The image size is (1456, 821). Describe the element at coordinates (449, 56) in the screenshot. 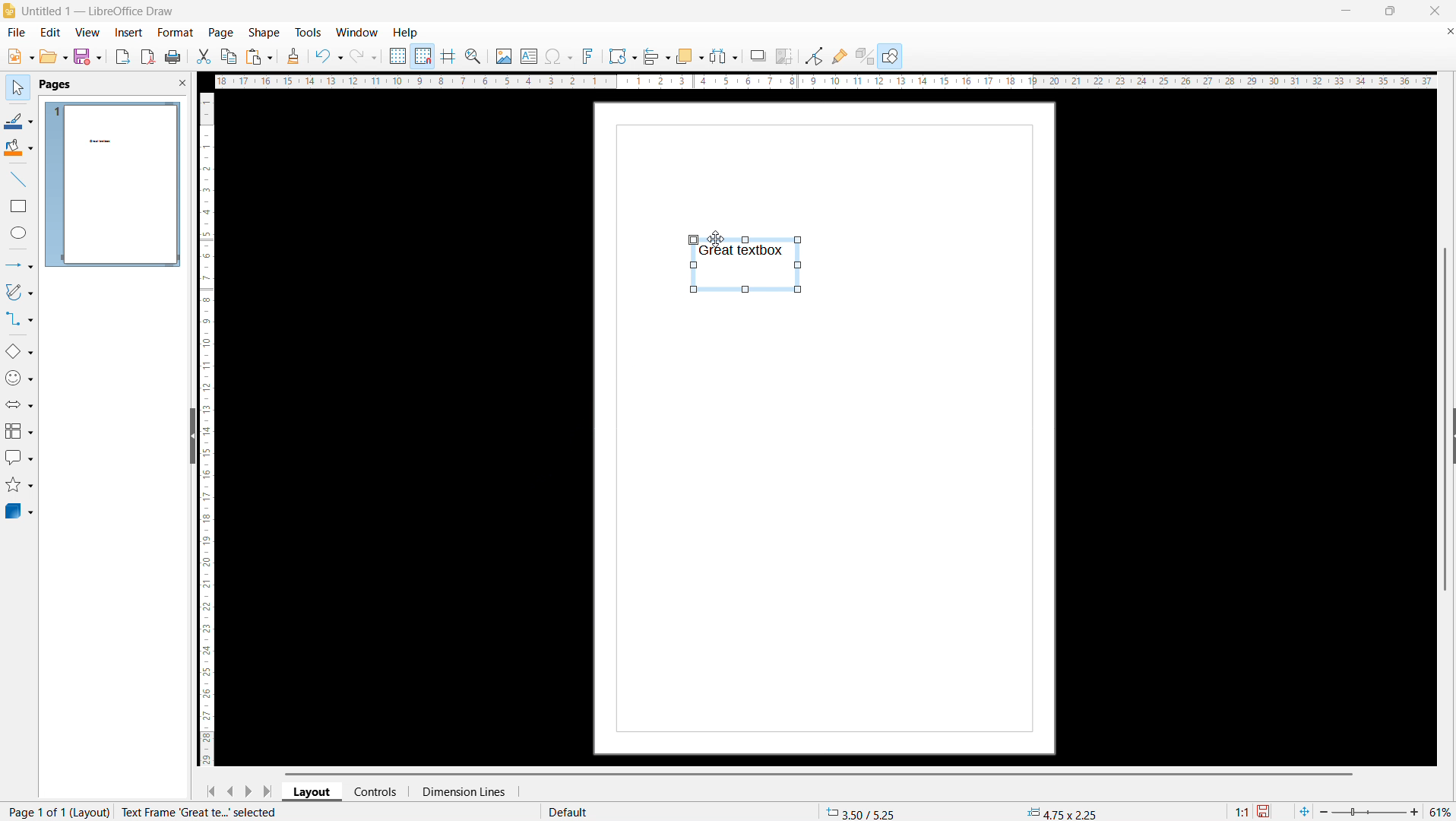

I see `guidelines while moving` at that location.